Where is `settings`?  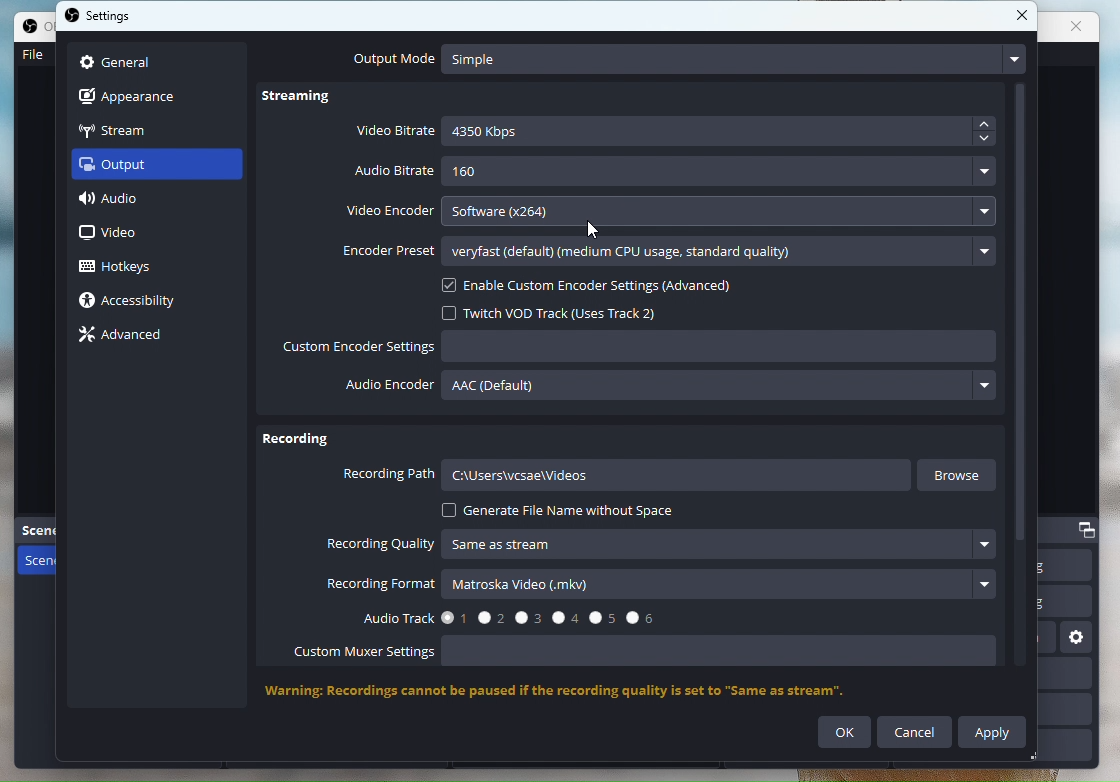 settings is located at coordinates (104, 18).